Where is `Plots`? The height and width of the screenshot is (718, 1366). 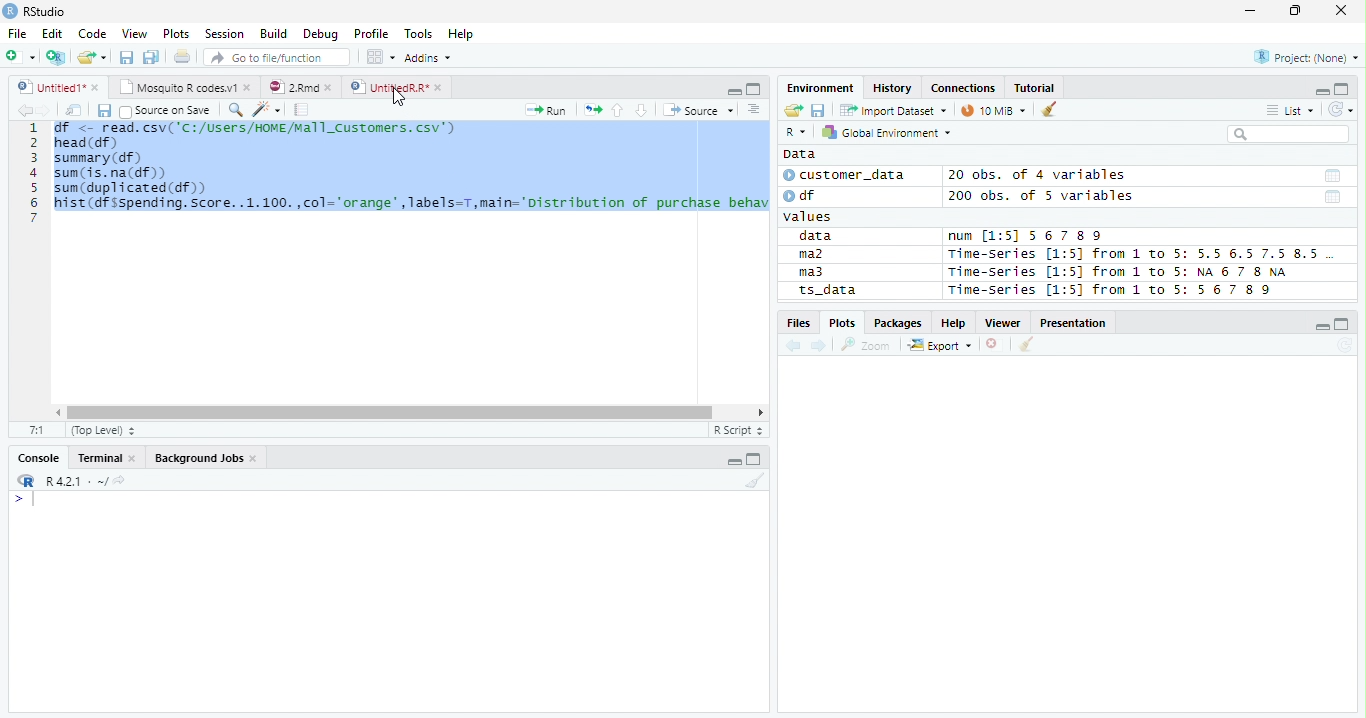
Plots is located at coordinates (176, 34).